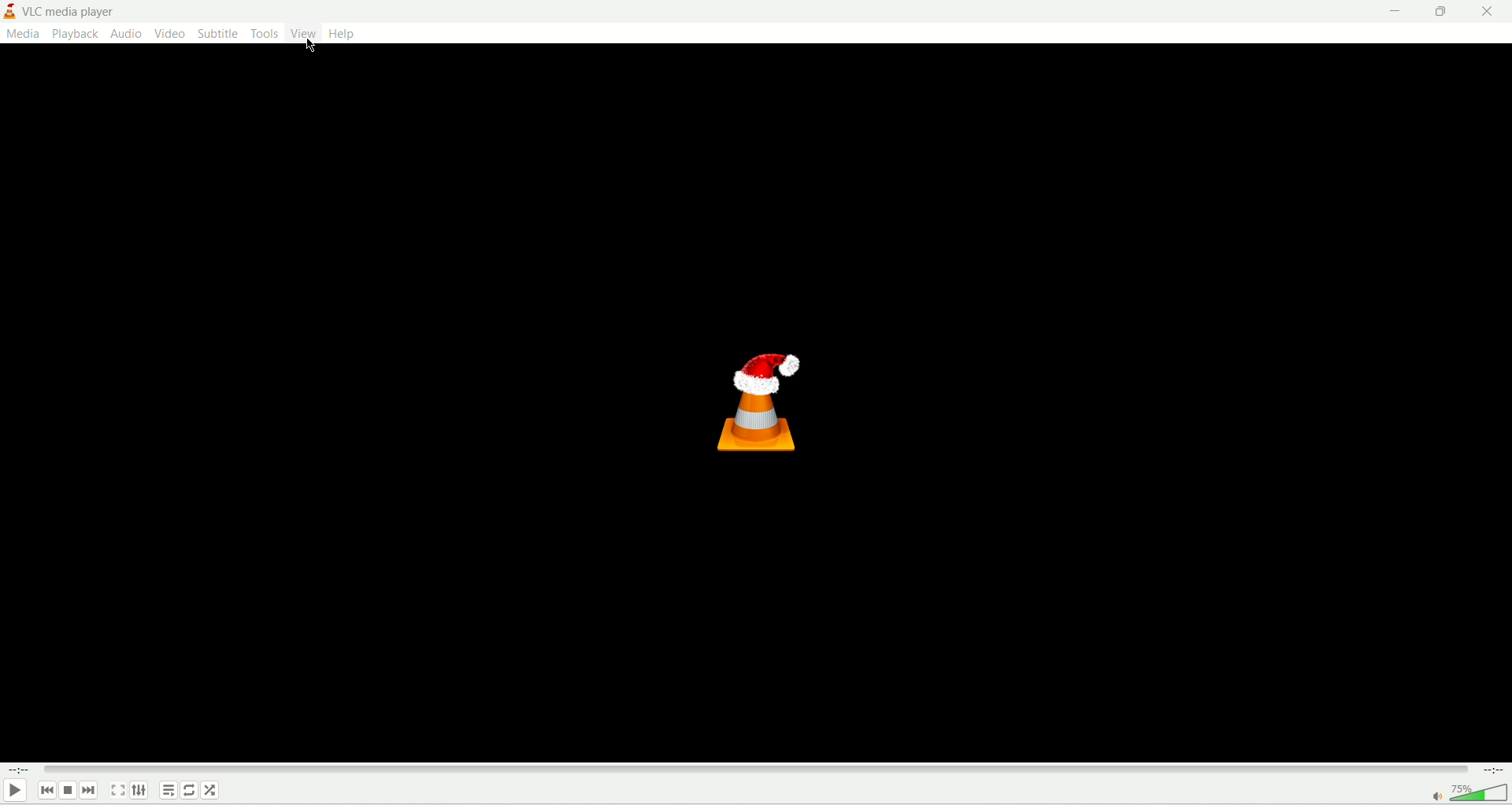 Image resolution: width=1512 pixels, height=805 pixels. Describe the element at coordinates (1492, 770) in the screenshot. I see `total time` at that location.